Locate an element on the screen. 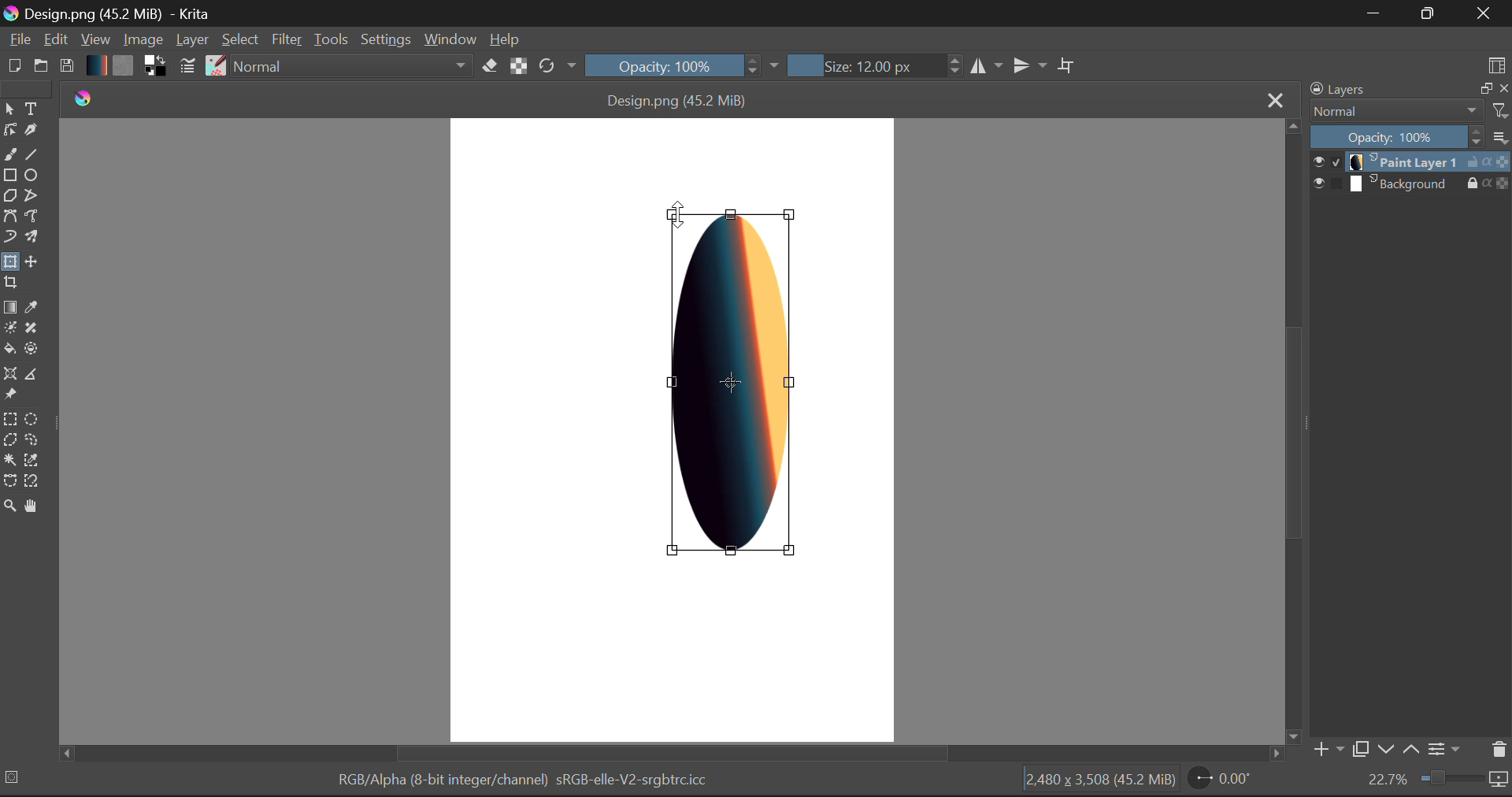 The width and height of the screenshot is (1512, 797). Choose Workspace is located at coordinates (1497, 62).